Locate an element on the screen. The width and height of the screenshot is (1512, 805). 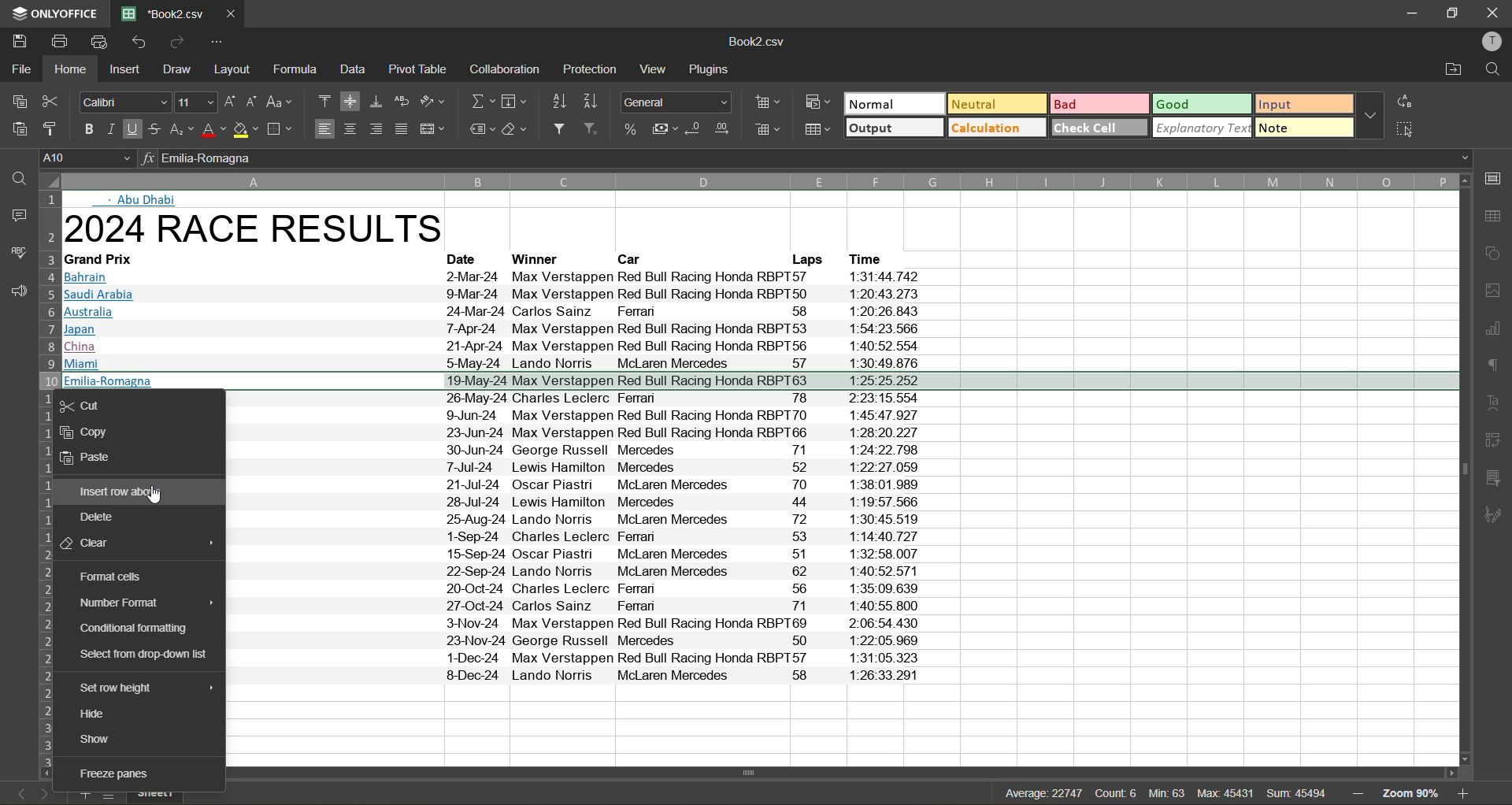
find is located at coordinates (1492, 72).